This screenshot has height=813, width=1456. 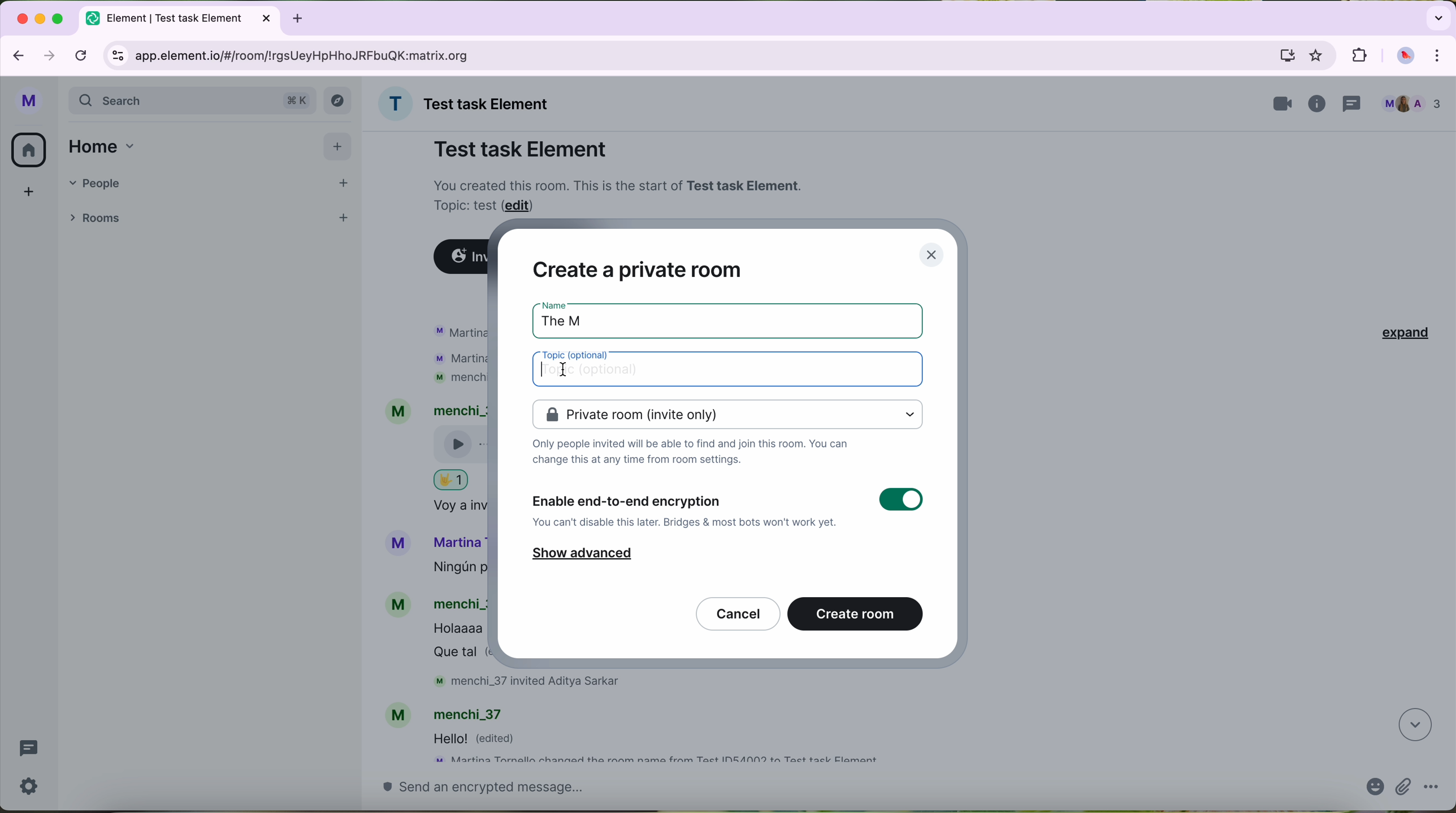 What do you see at coordinates (33, 786) in the screenshot?
I see `settings` at bounding box center [33, 786].